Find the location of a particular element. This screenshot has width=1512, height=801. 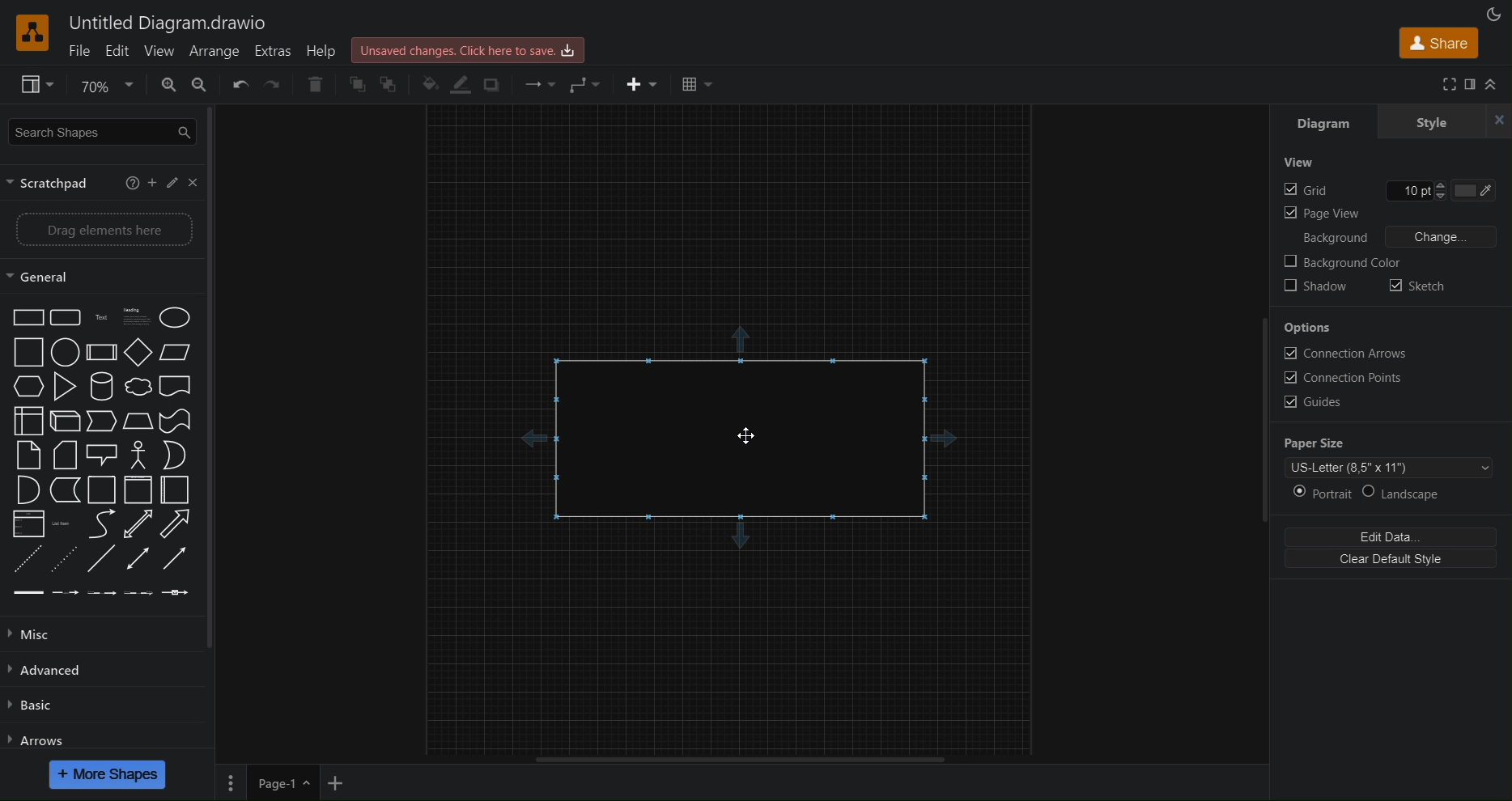

Send Front is located at coordinates (355, 87).